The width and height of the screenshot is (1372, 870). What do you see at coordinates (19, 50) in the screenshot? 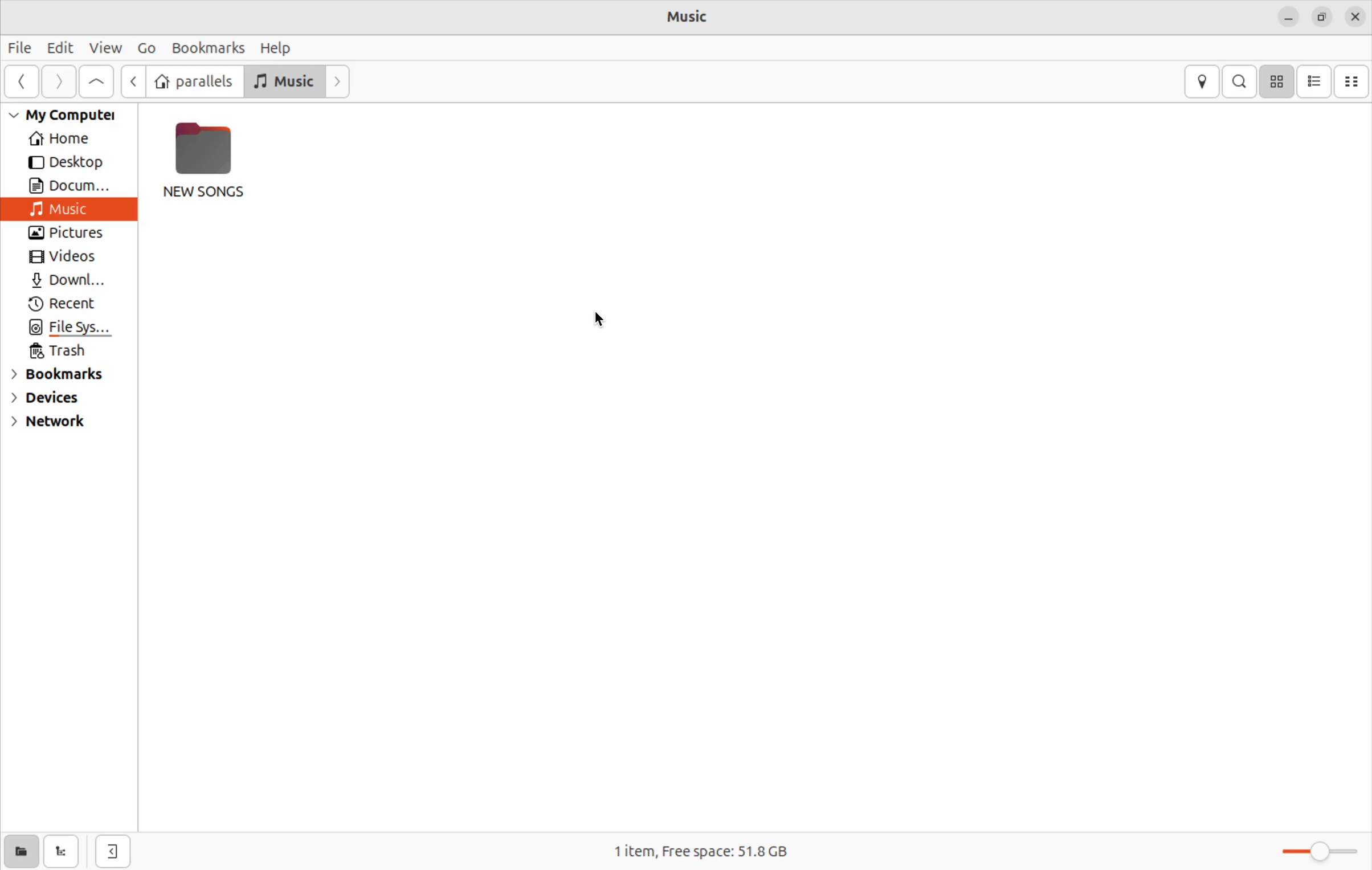
I see `File` at bounding box center [19, 50].